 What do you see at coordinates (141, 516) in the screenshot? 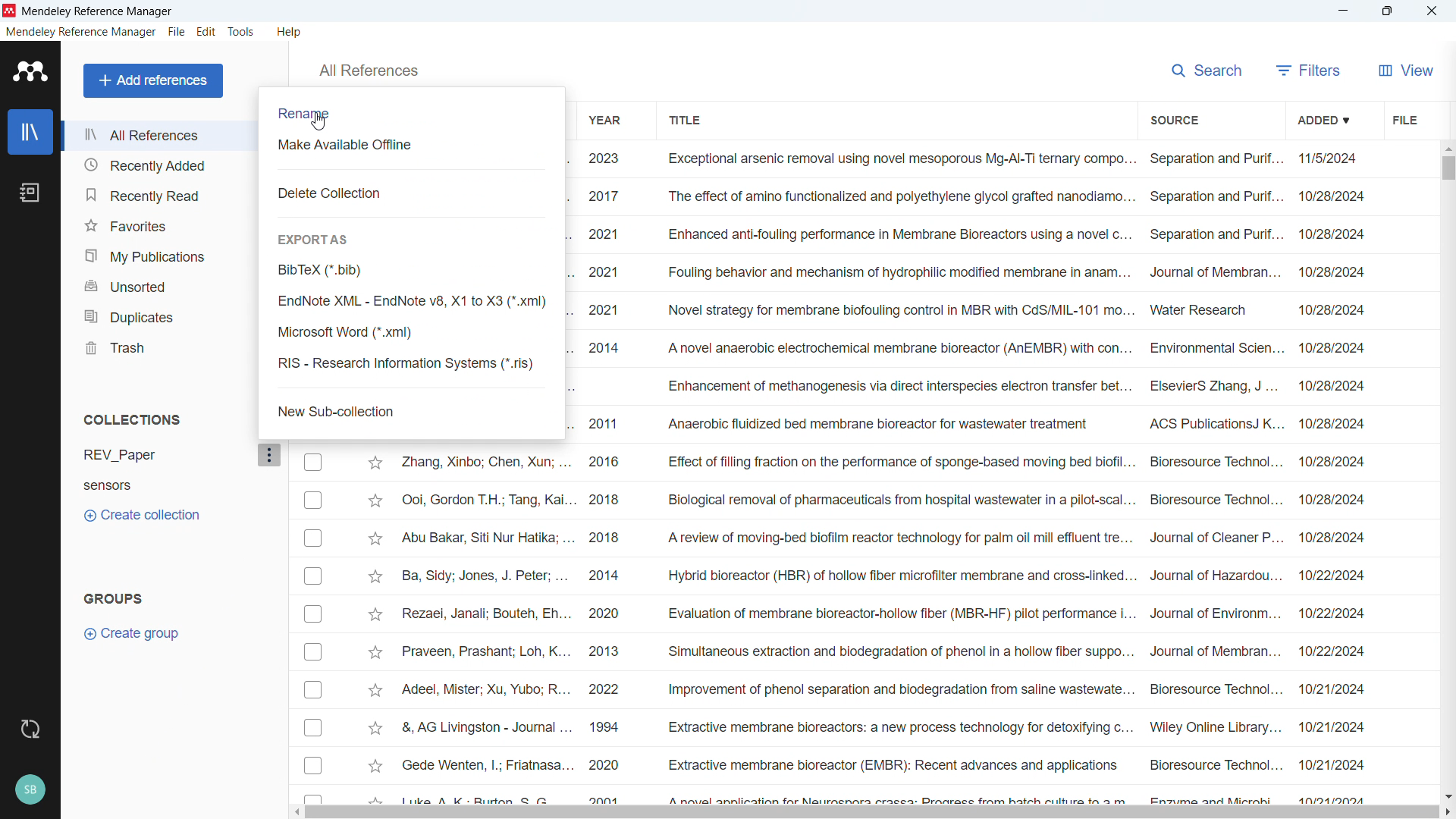
I see `Create collection ` at bounding box center [141, 516].